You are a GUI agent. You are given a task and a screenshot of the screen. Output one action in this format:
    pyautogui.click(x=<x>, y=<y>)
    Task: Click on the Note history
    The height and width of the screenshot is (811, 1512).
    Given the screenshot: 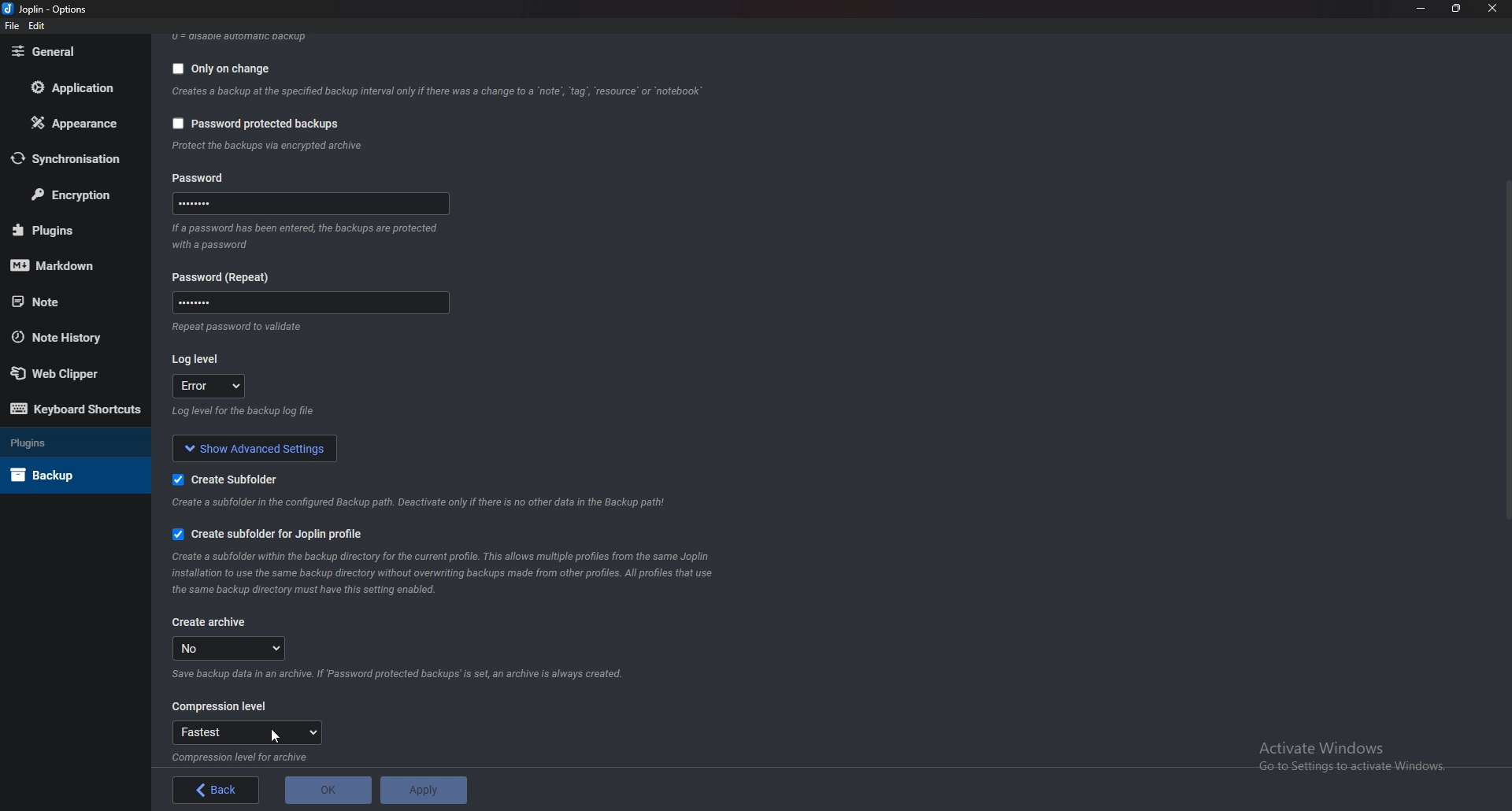 What is the action you would take?
    pyautogui.click(x=64, y=336)
    